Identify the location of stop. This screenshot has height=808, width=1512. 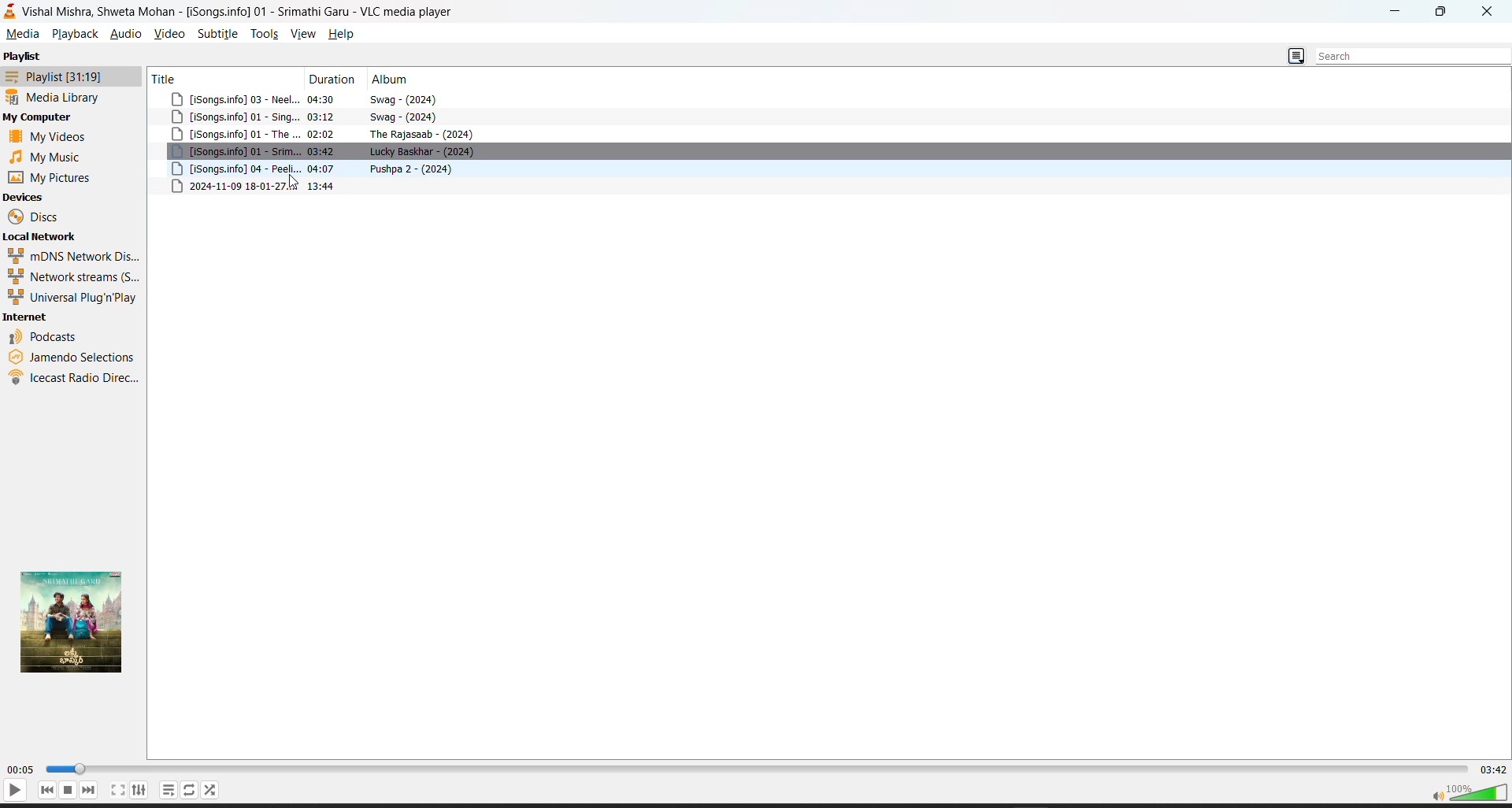
(69, 791).